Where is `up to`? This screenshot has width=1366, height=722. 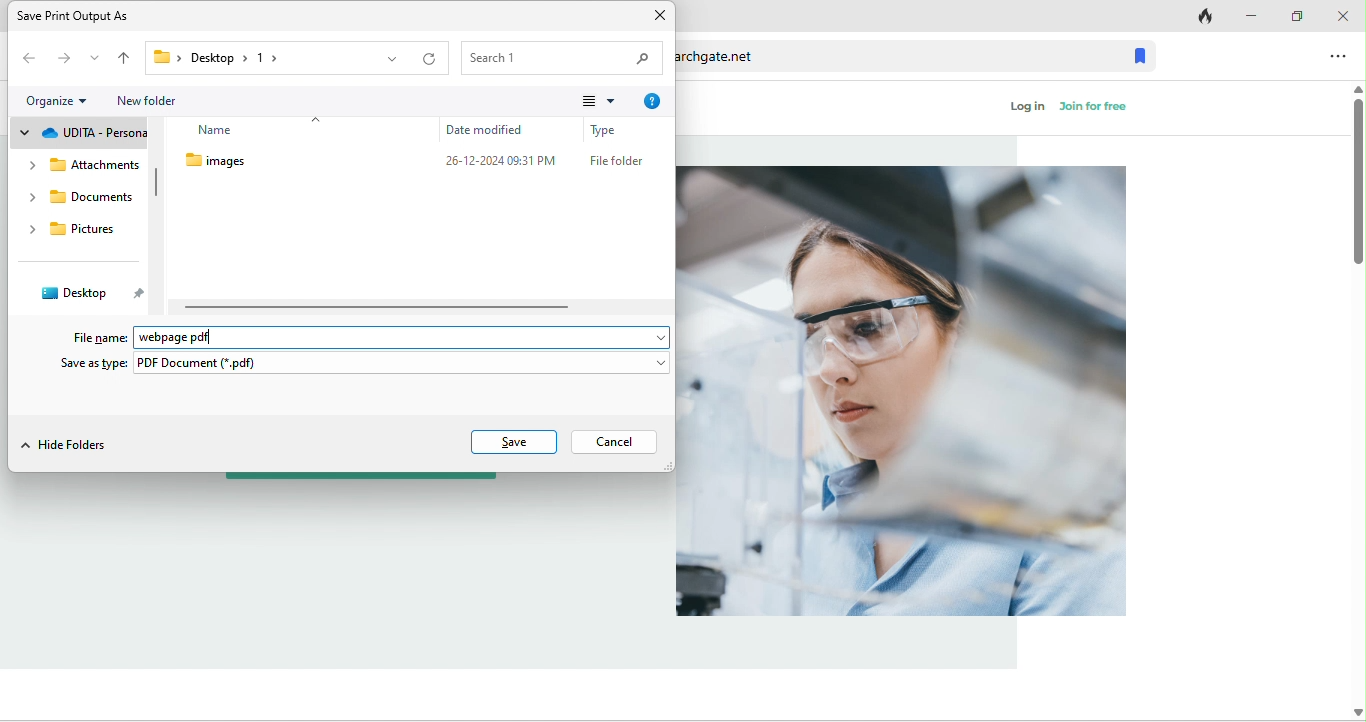
up to is located at coordinates (125, 59).